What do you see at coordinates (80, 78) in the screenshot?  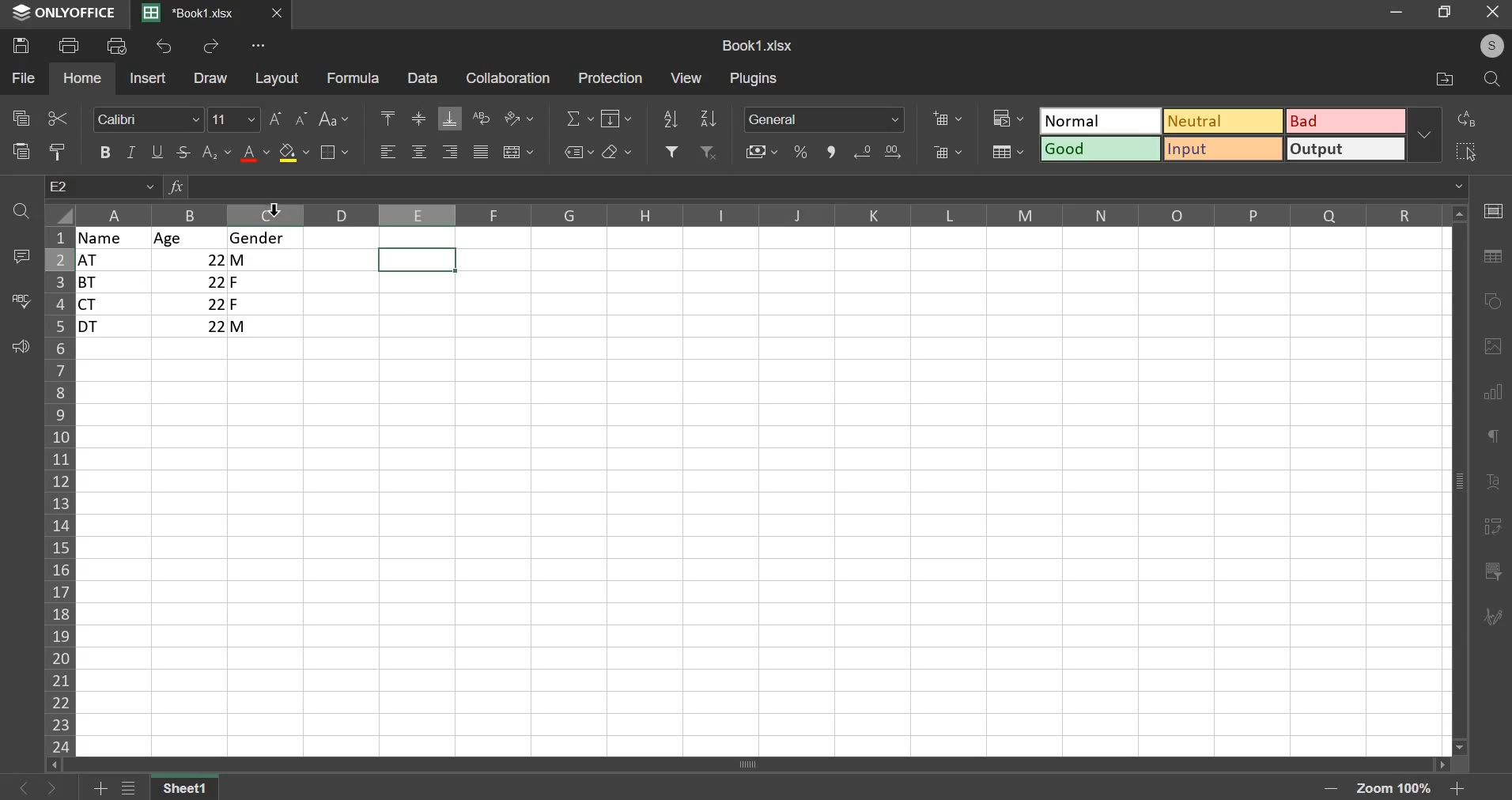 I see `` at bounding box center [80, 78].